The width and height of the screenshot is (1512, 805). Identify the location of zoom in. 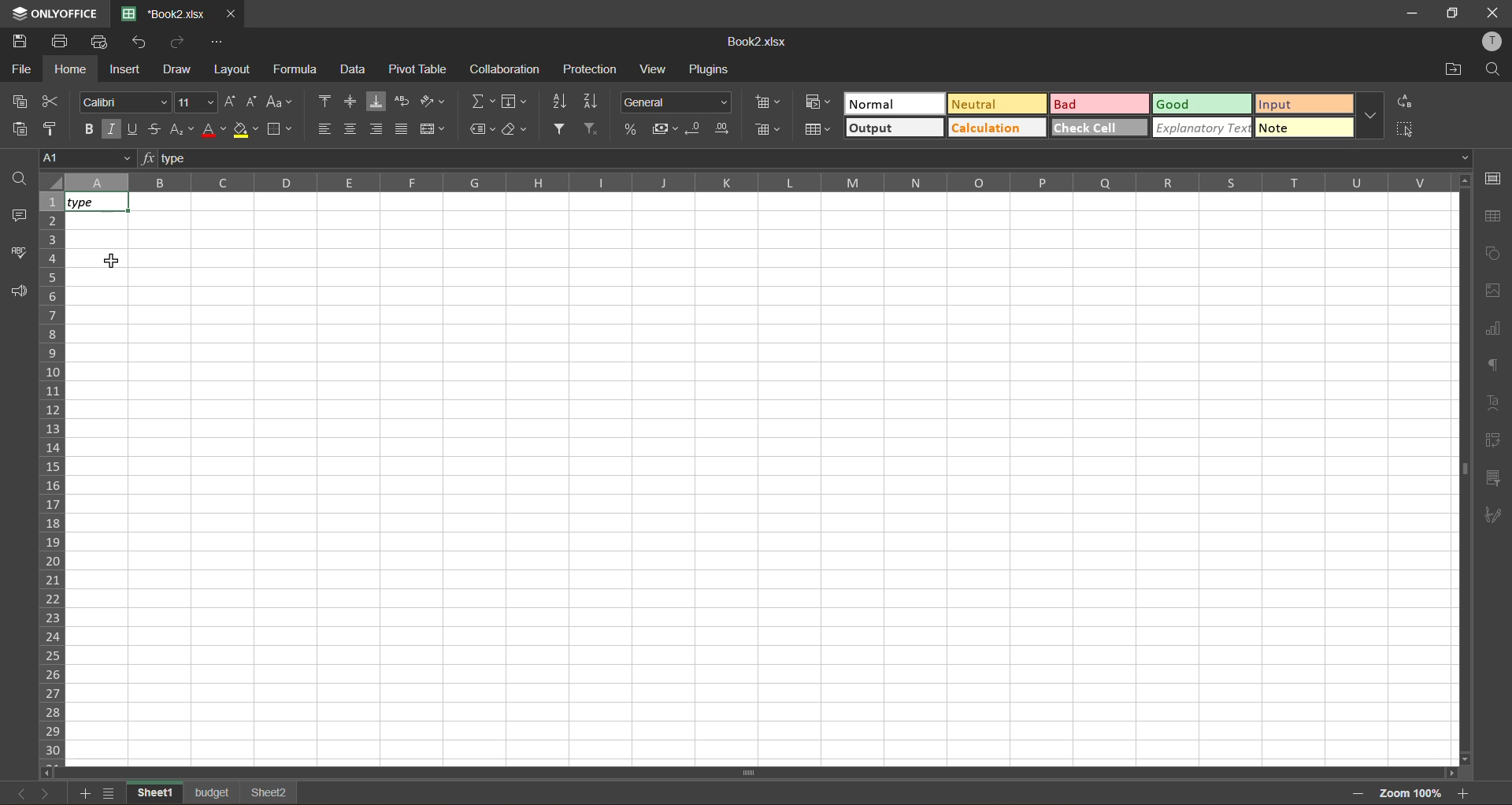
(1466, 792).